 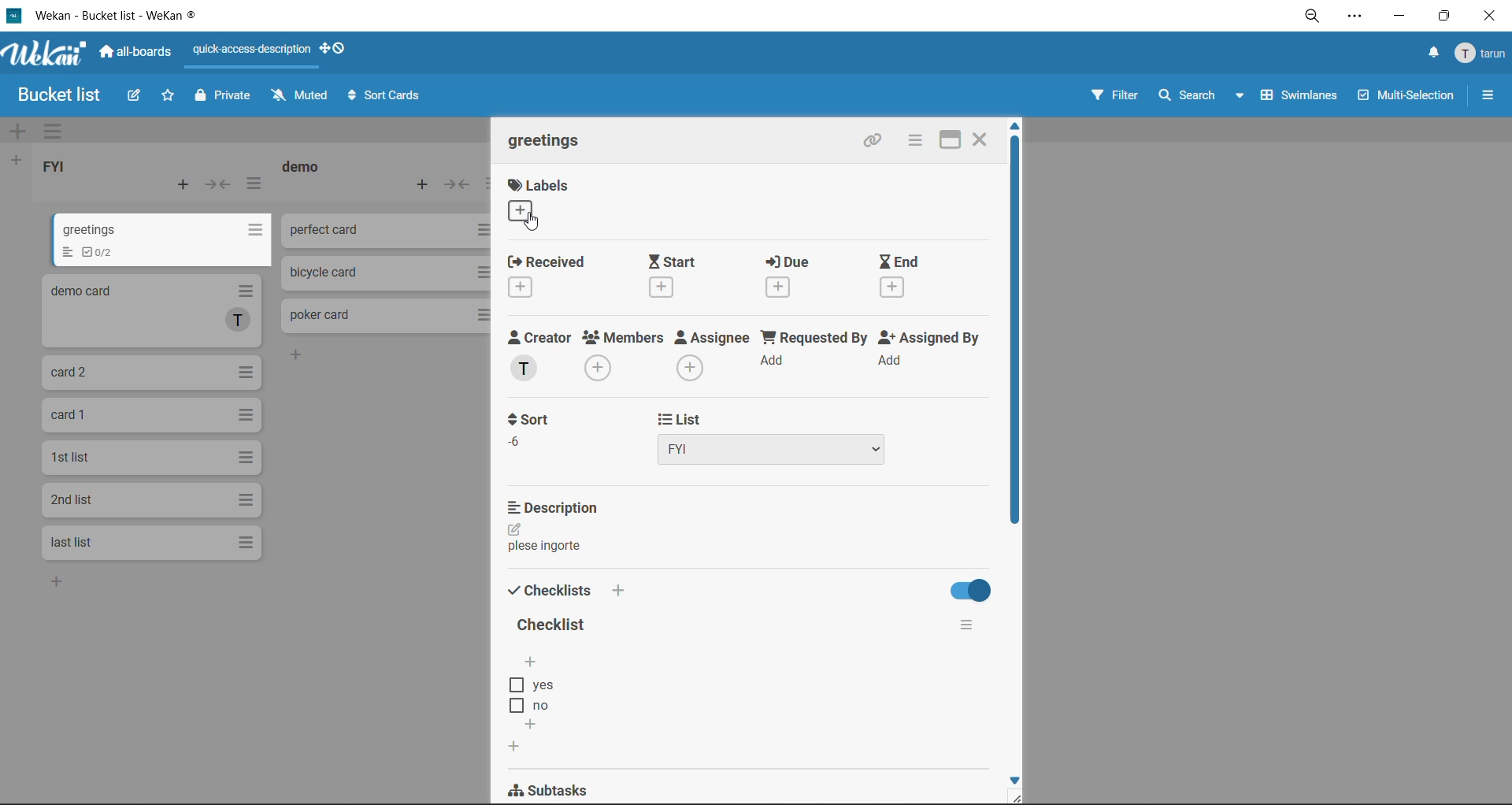 I want to click on muted, so click(x=300, y=97).